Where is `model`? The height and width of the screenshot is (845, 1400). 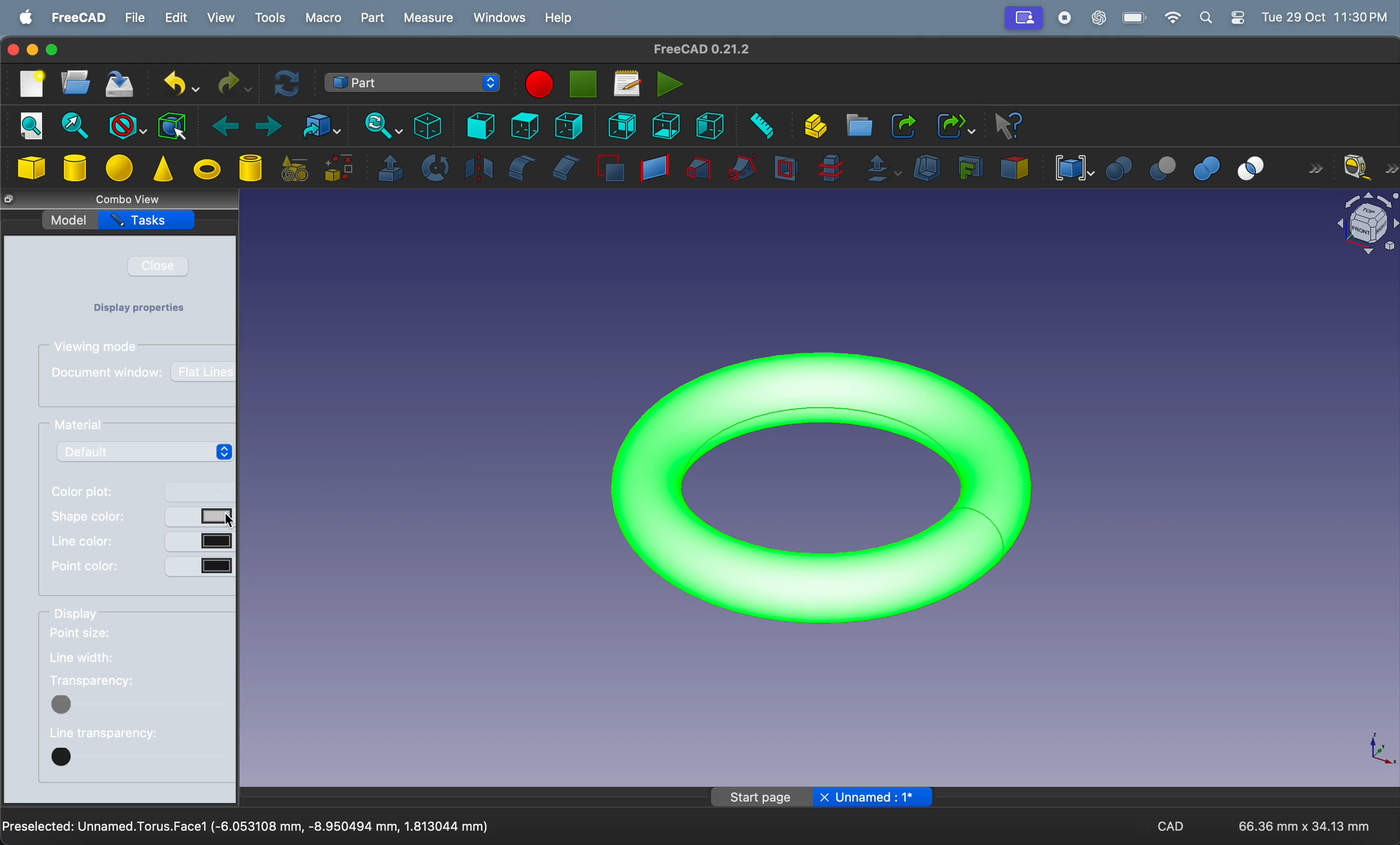
model is located at coordinates (69, 219).